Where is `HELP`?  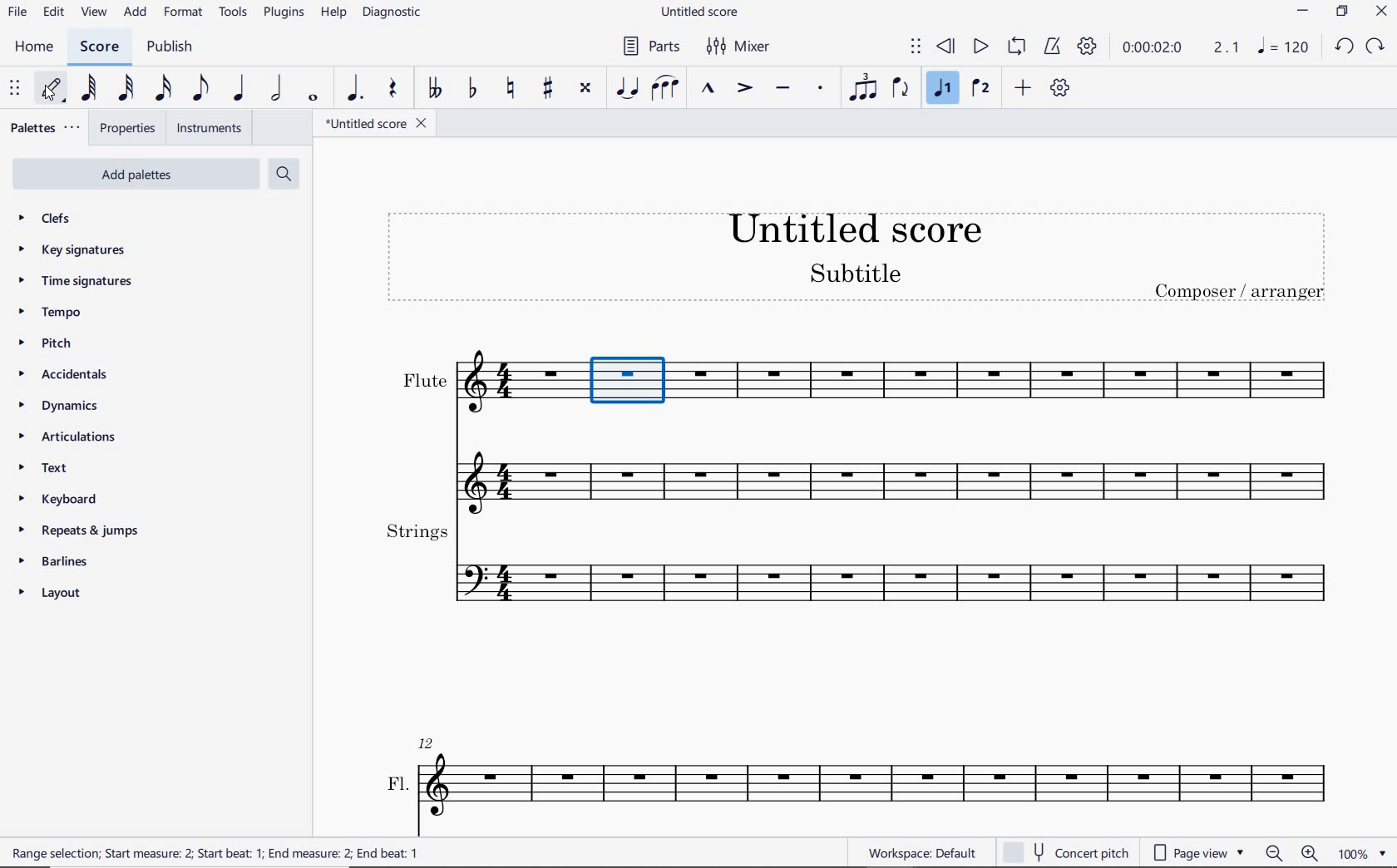 HELP is located at coordinates (334, 12).